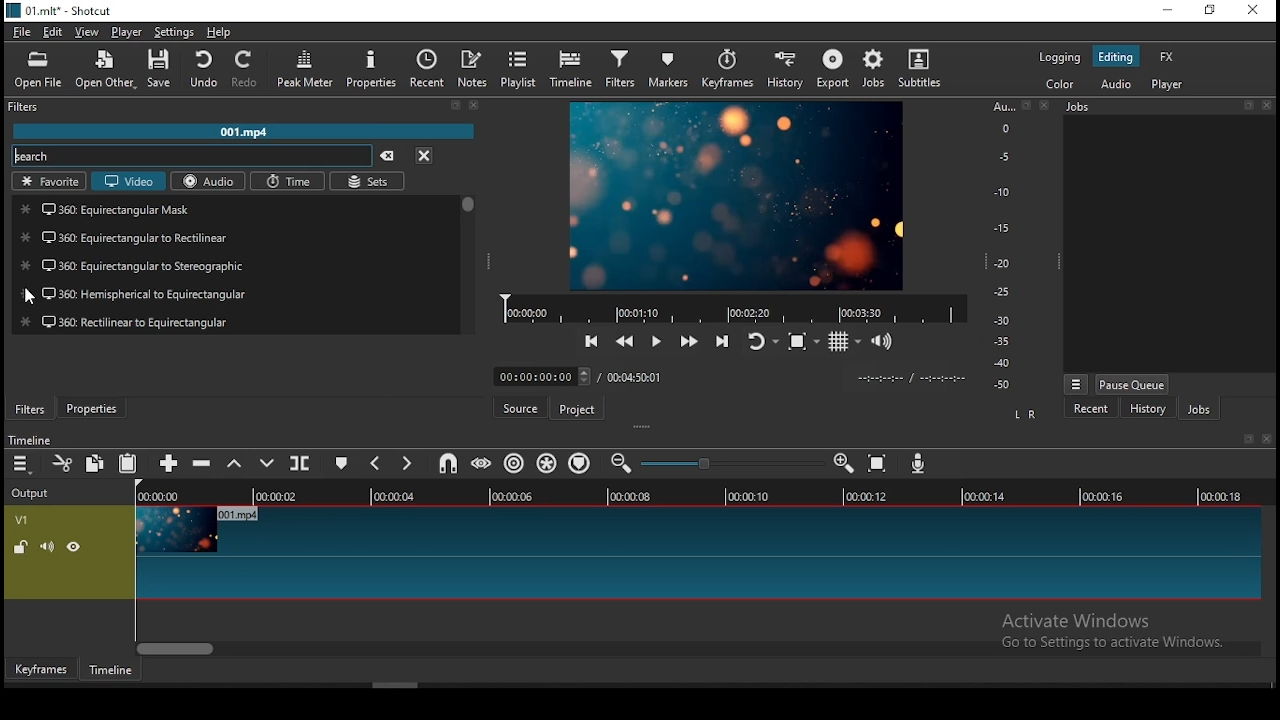  I want to click on fullscreen, so click(1246, 438).